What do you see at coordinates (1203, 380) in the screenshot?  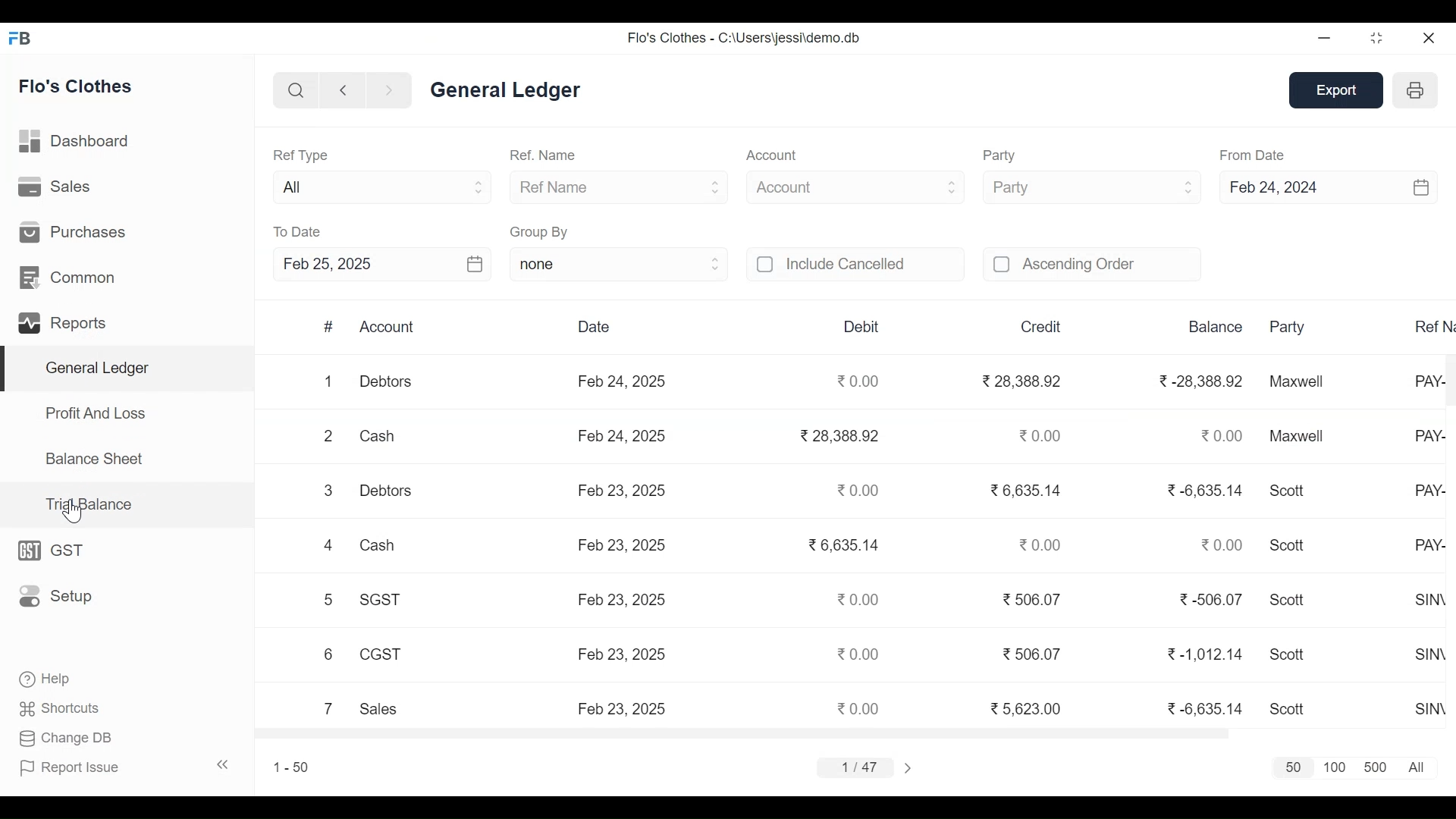 I see `-28,388.92` at bounding box center [1203, 380].